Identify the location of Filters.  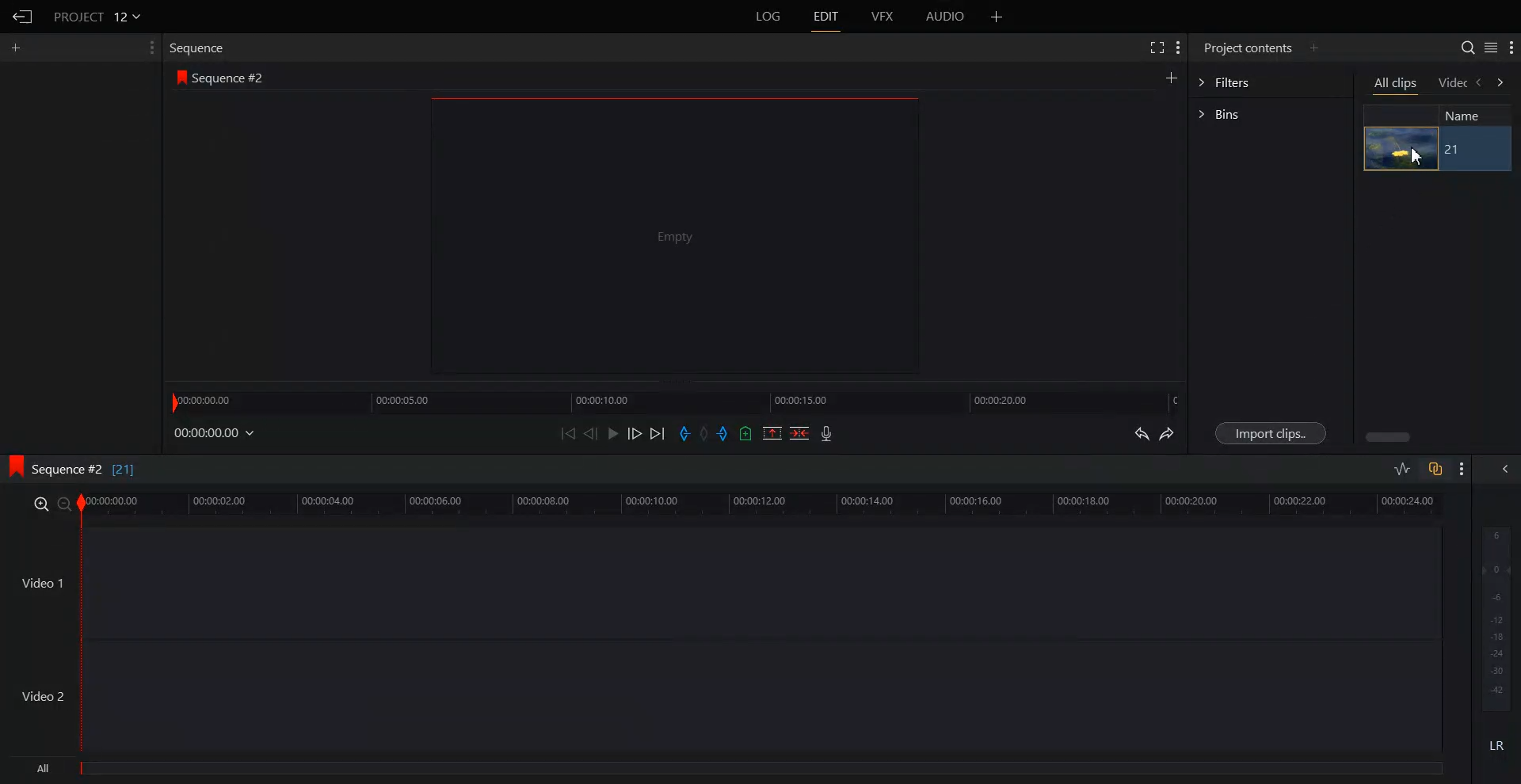
(1270, 81).